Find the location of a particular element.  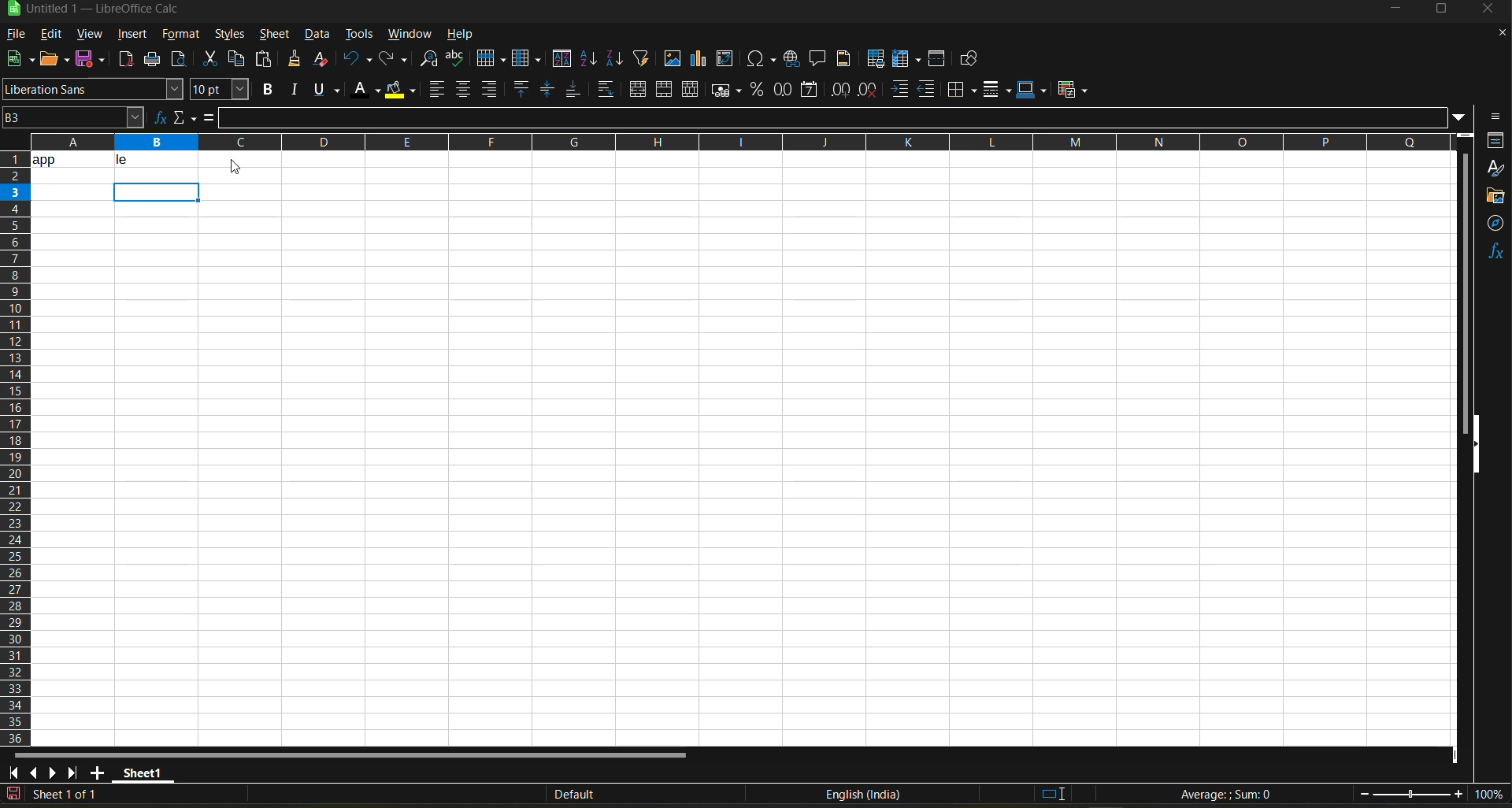

new is located at coordinates (18, 60).